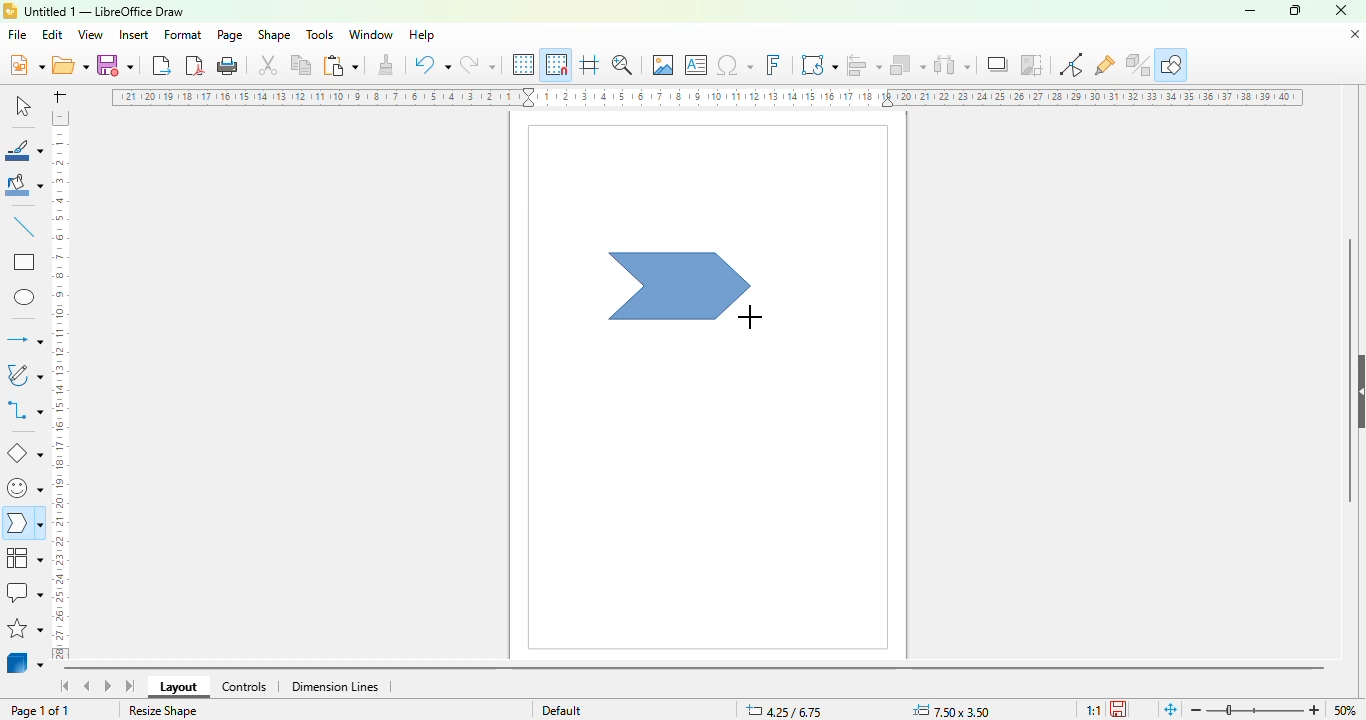 The width and height of the screenshot is (1366, 720). What do you see at coordinates (108, 685) in the screenshot?
I see `scroll to next sheet` at bounding box center [108, 685].